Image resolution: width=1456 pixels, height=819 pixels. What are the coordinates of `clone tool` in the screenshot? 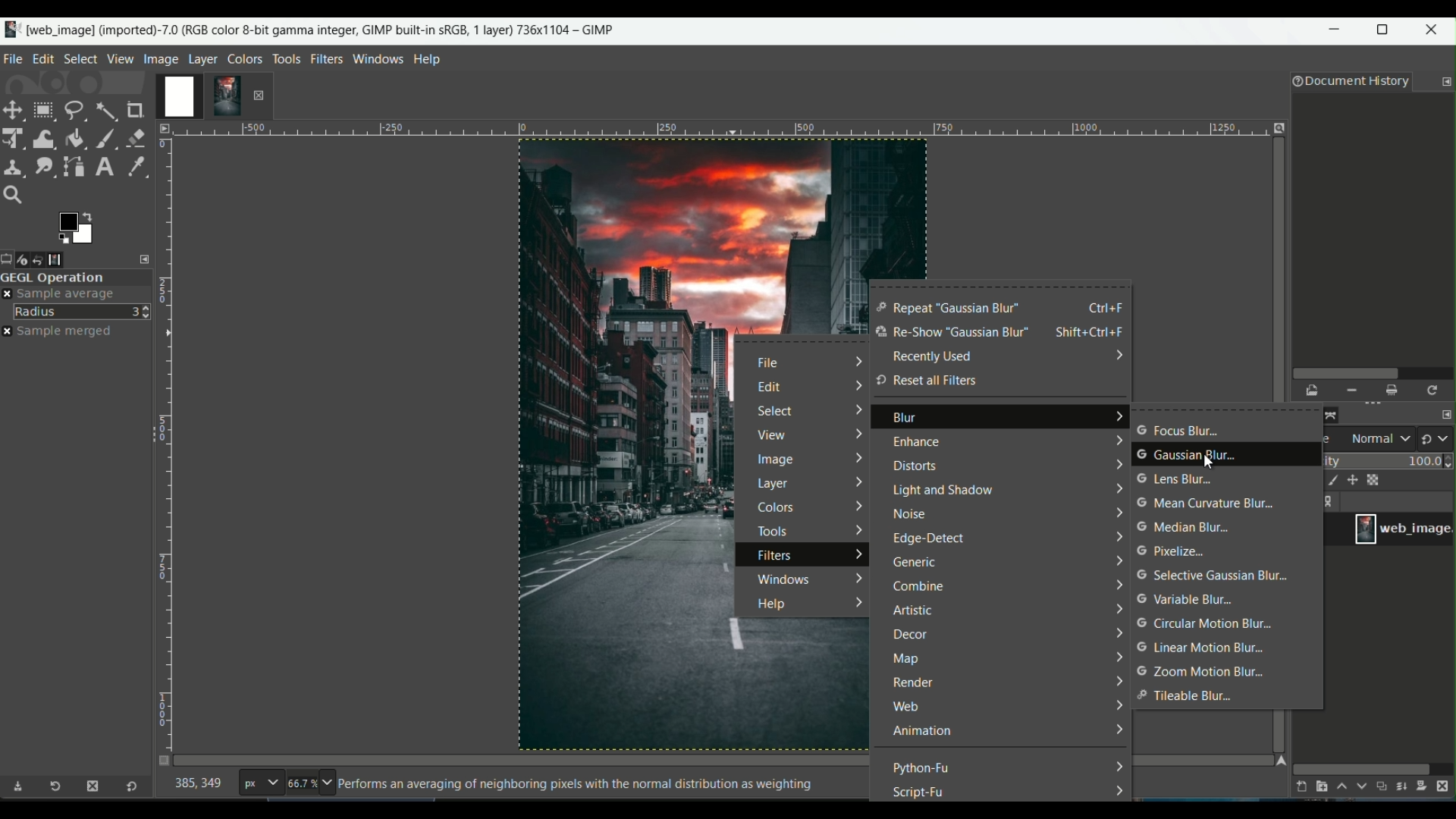 It's located at (14, 166).